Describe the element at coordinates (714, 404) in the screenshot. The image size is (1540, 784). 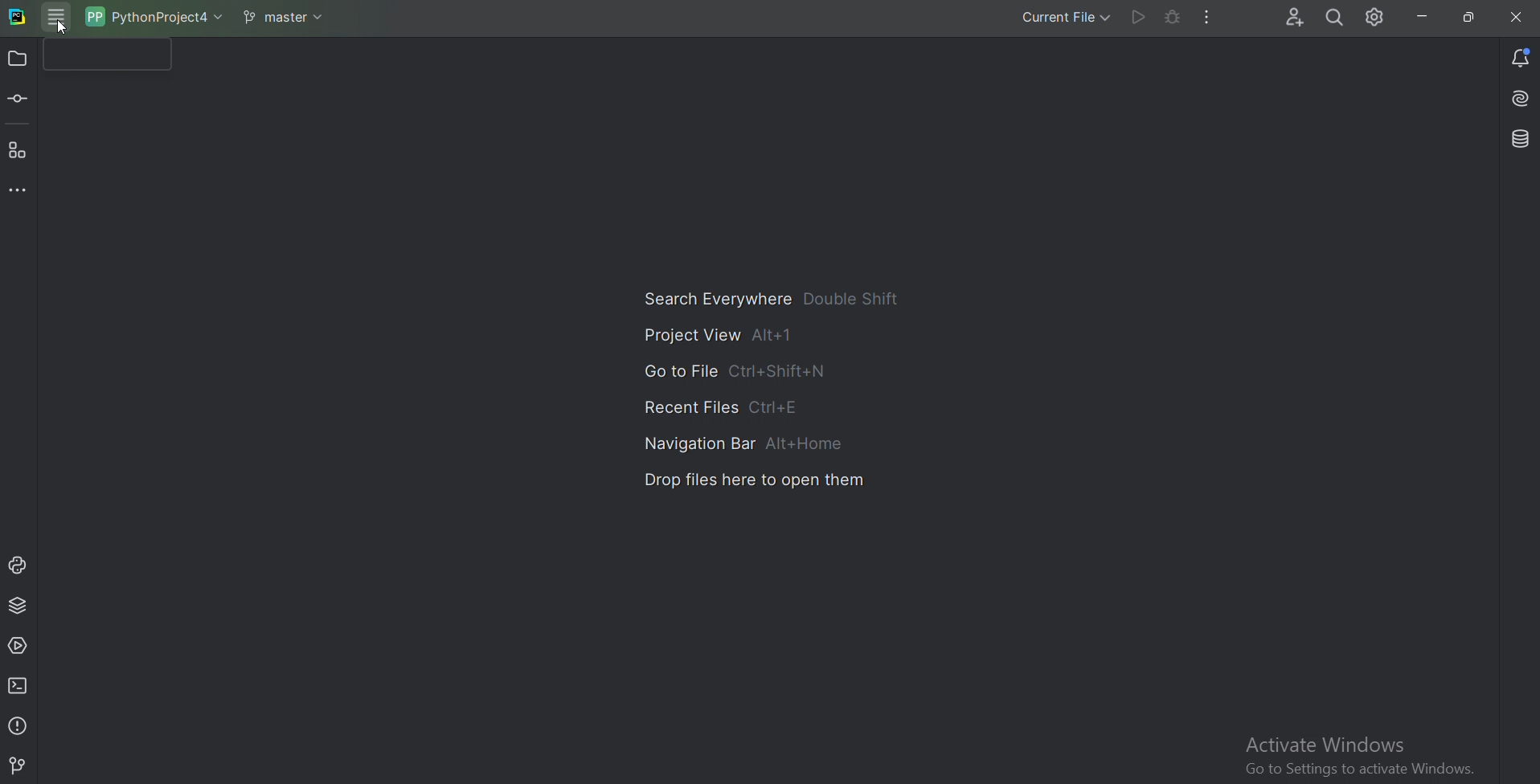
I see `Recent files` at that location.